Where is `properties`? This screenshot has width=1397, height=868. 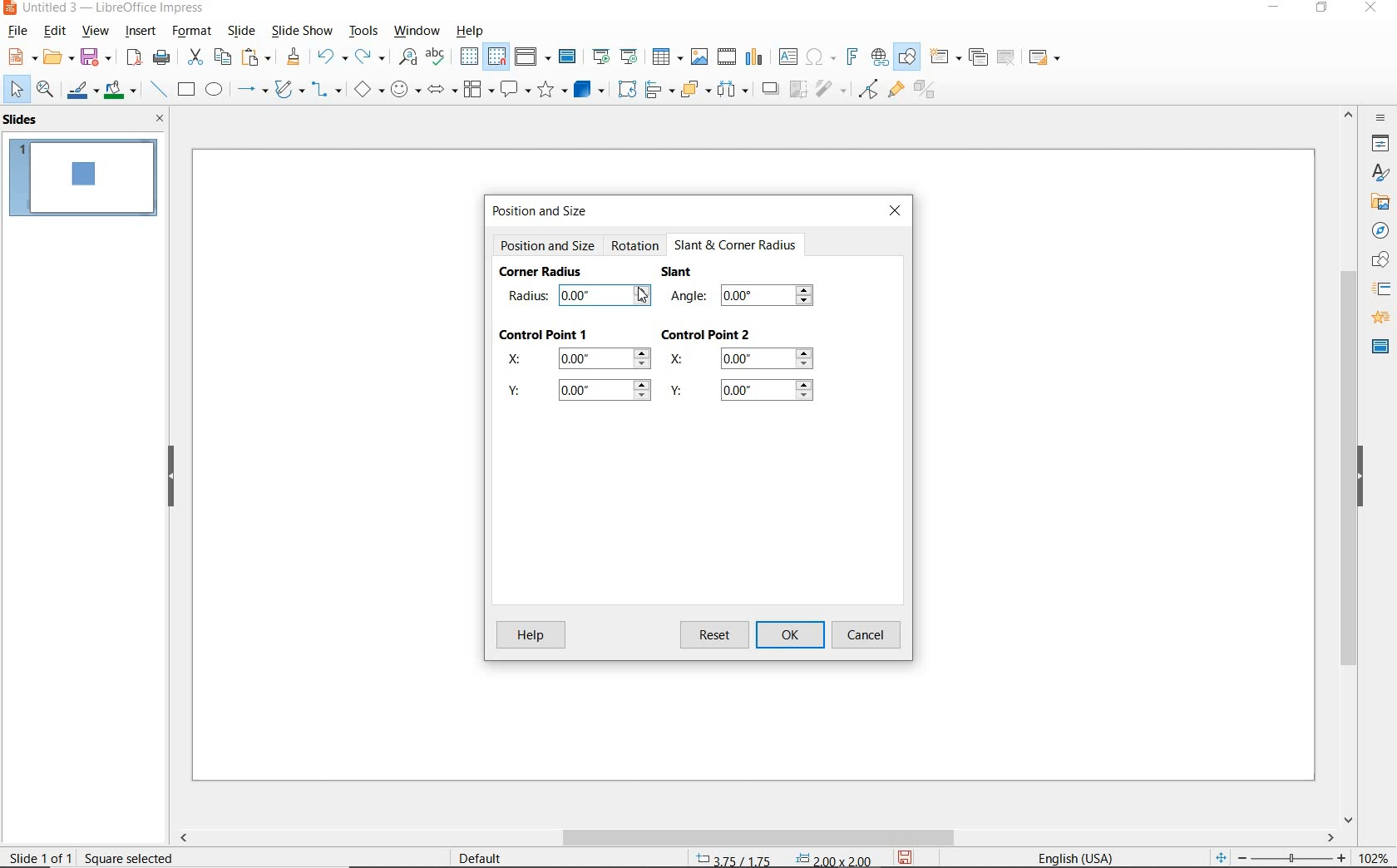
properties is located at coordinates (1378, 145).